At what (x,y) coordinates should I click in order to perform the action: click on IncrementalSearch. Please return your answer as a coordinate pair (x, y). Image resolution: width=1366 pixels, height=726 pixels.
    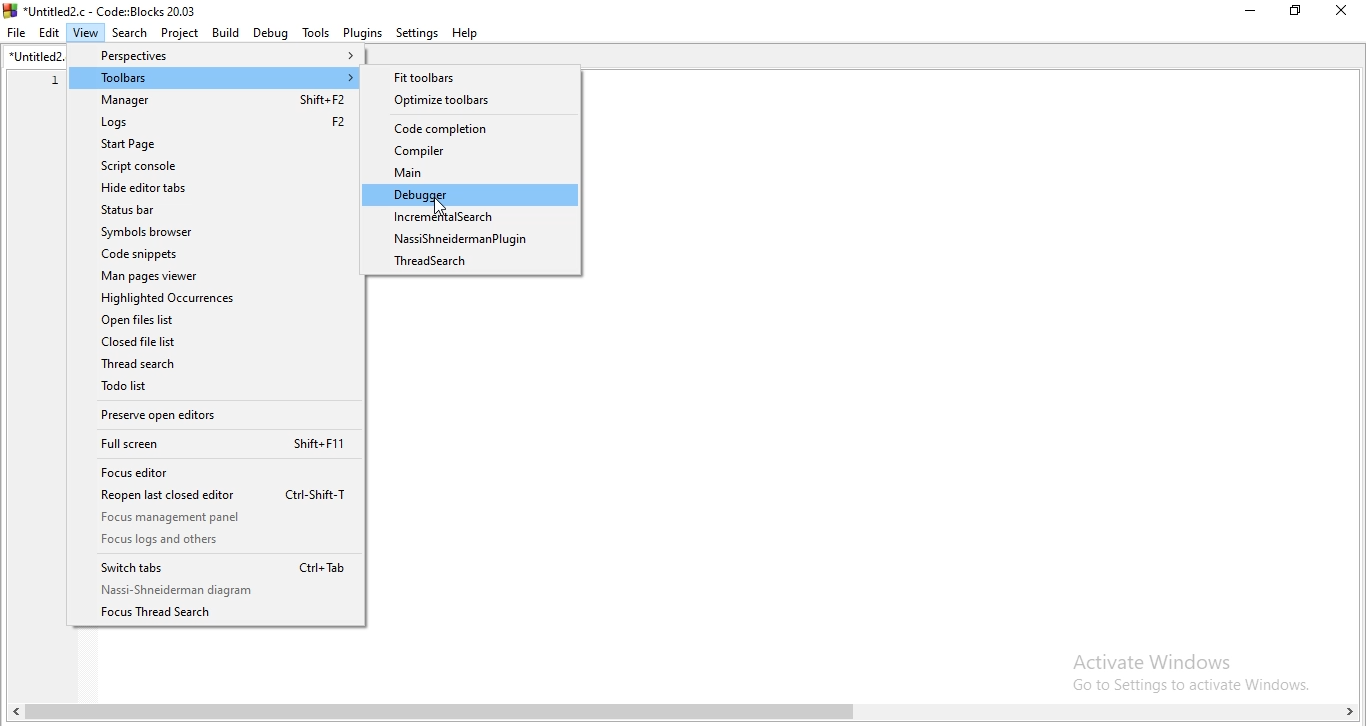
    Looking at the image, I should click on (472, 218).